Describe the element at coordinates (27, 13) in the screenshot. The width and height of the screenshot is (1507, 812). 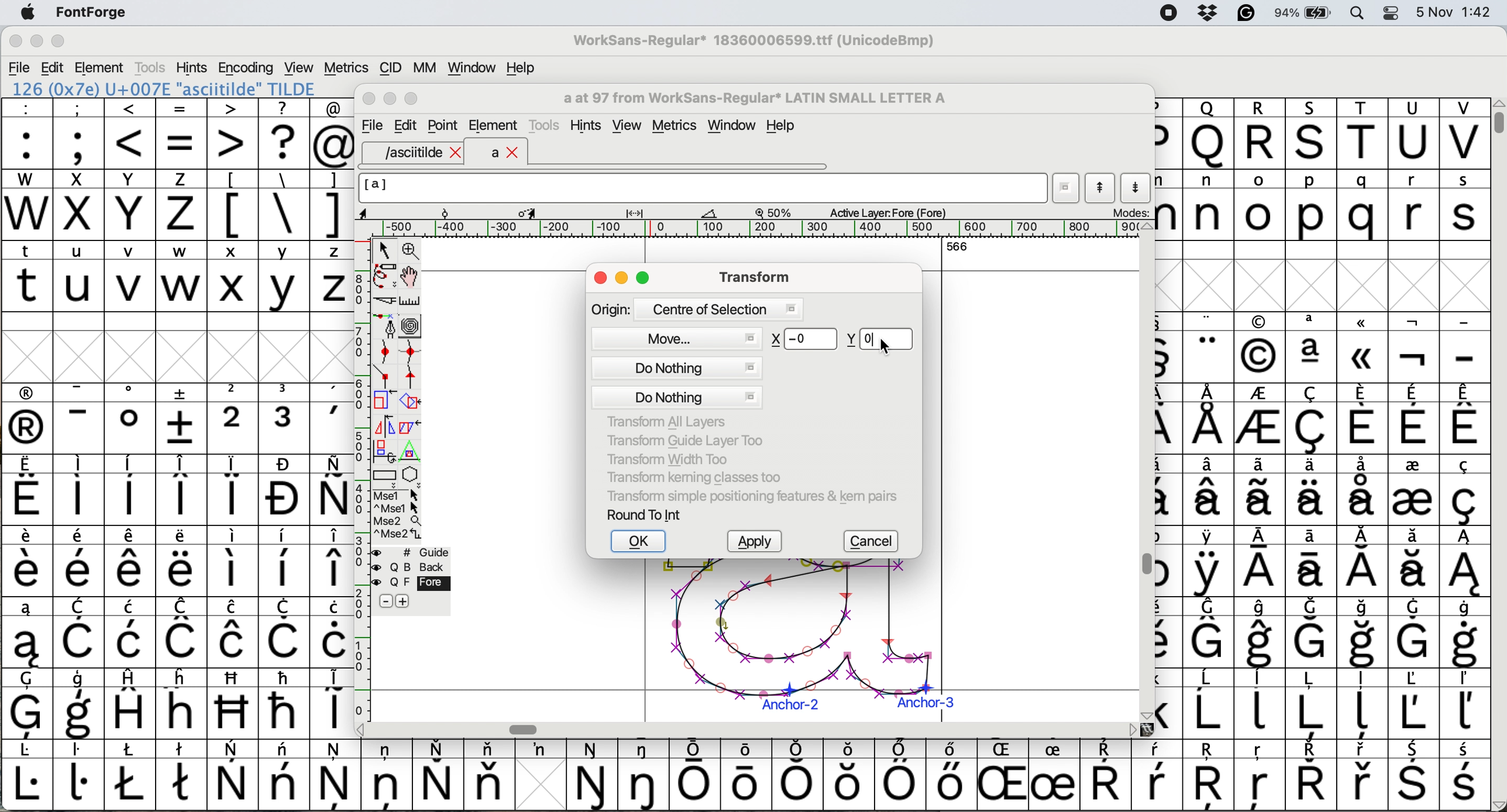
I see `system logo` at that location.